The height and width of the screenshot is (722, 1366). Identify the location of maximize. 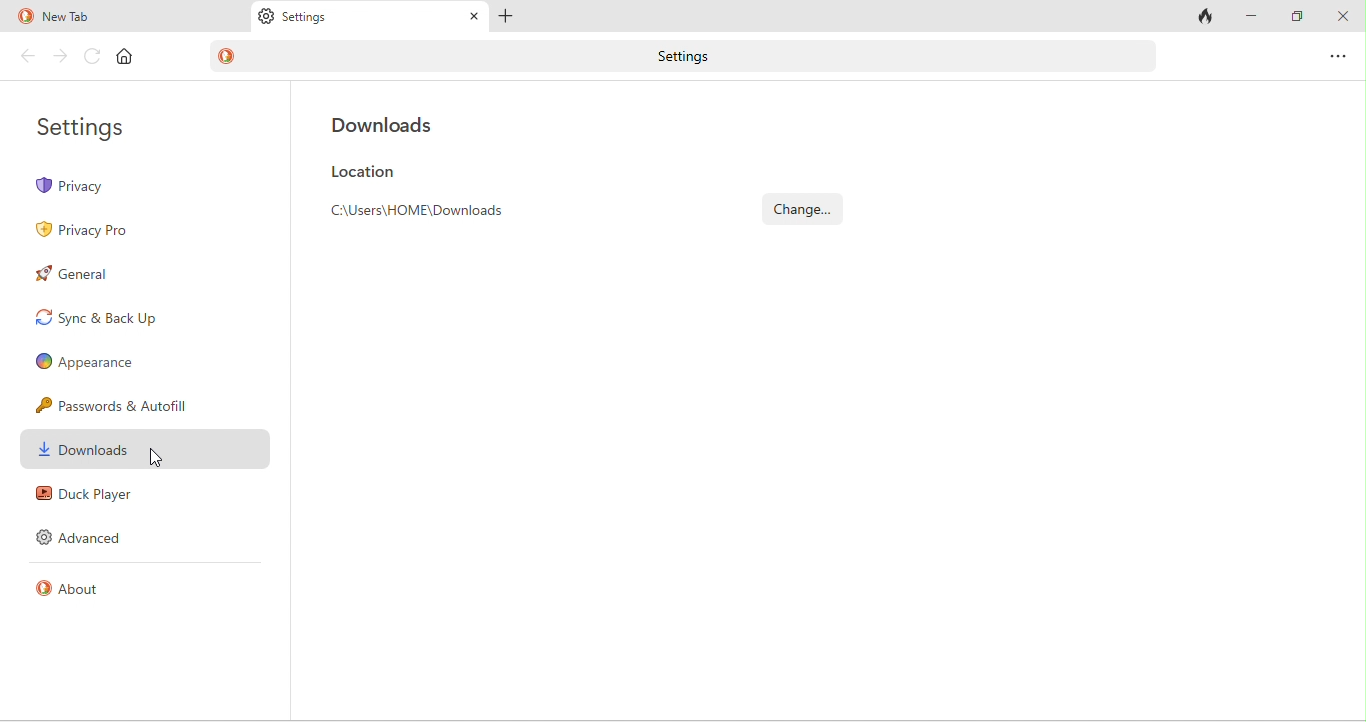
(1301, 17).